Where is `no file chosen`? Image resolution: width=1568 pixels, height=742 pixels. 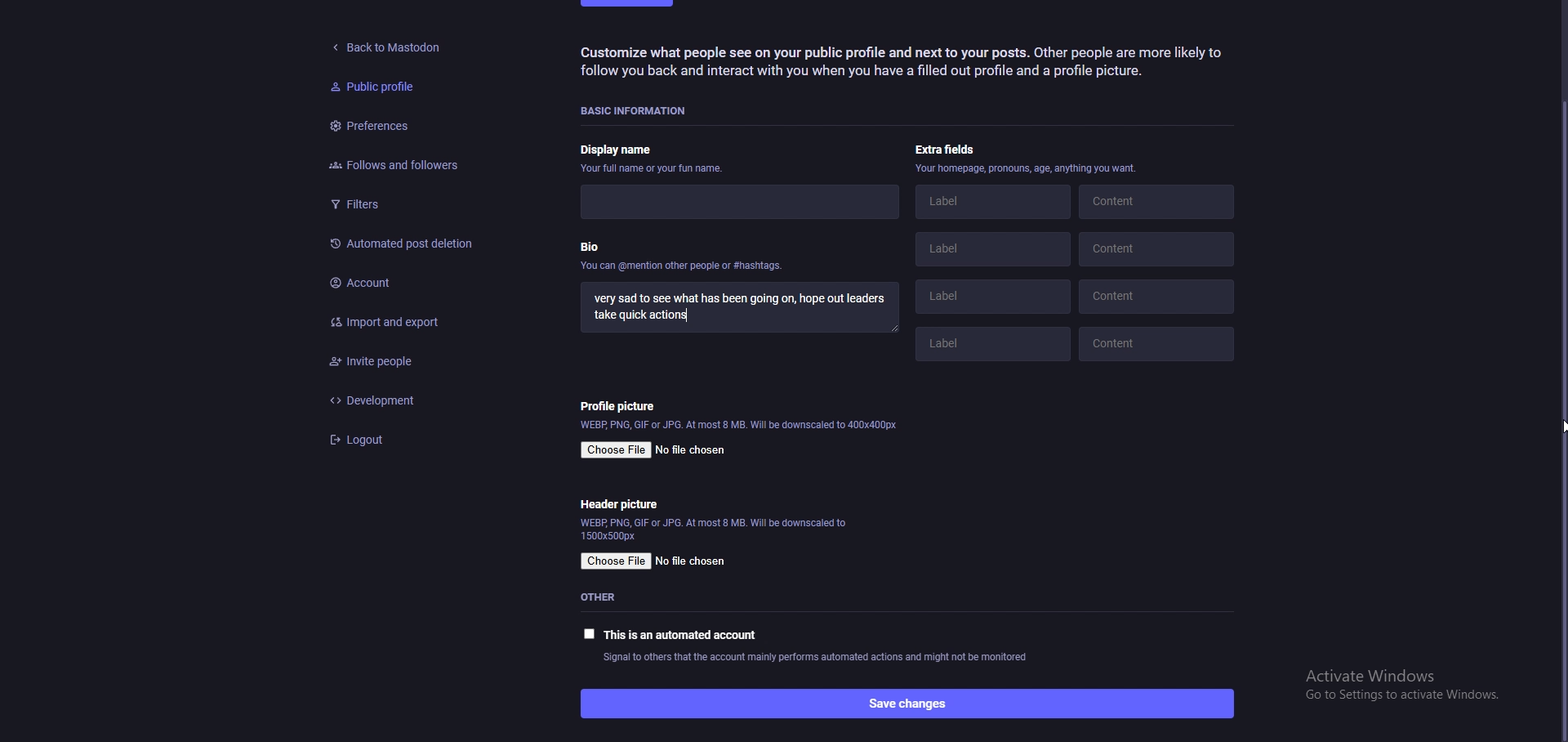
no file chosen is located at coordinates (693, 449).